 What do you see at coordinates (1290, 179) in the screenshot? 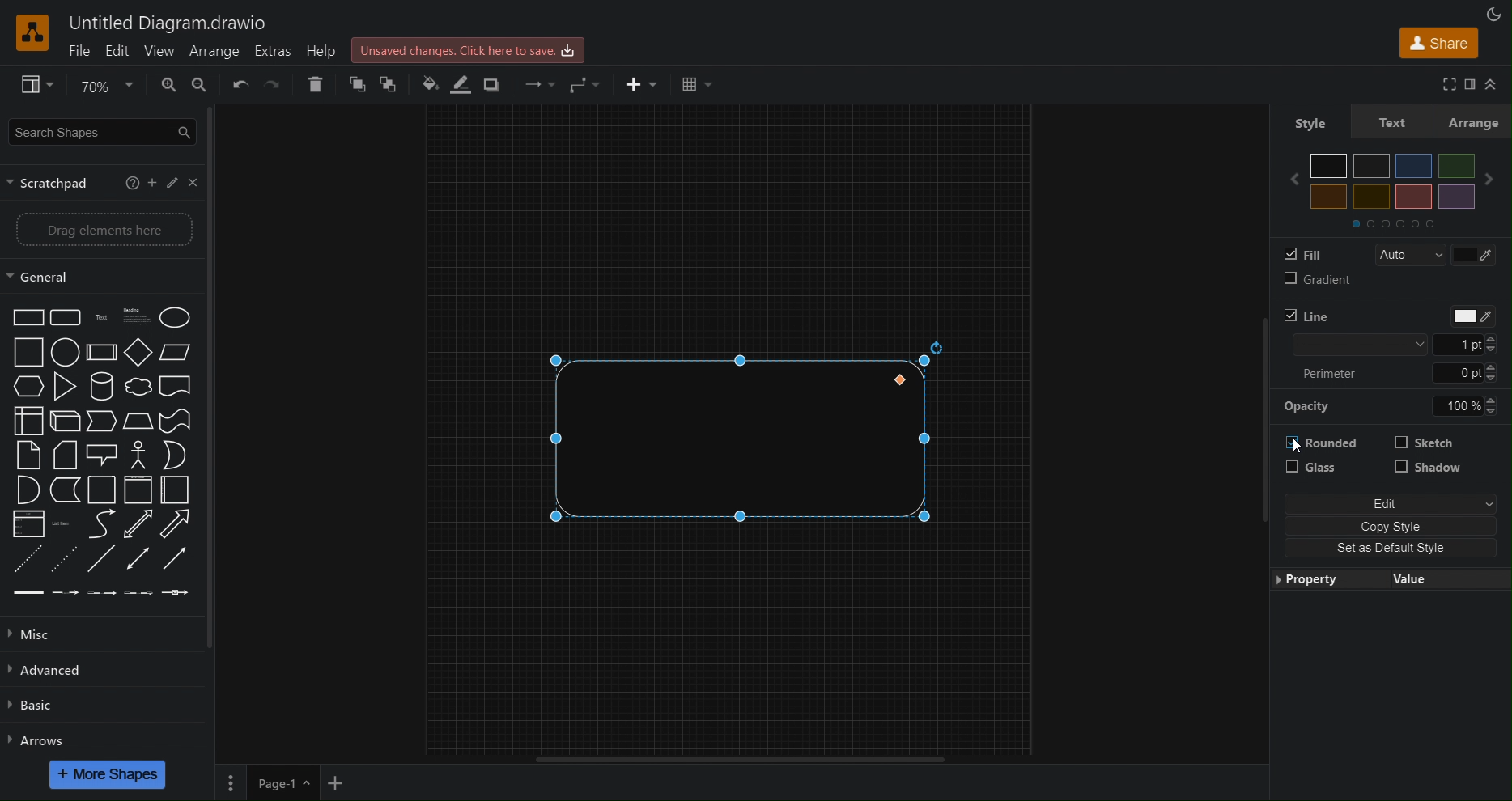
I see `back` at bounding box center [1290, 179].